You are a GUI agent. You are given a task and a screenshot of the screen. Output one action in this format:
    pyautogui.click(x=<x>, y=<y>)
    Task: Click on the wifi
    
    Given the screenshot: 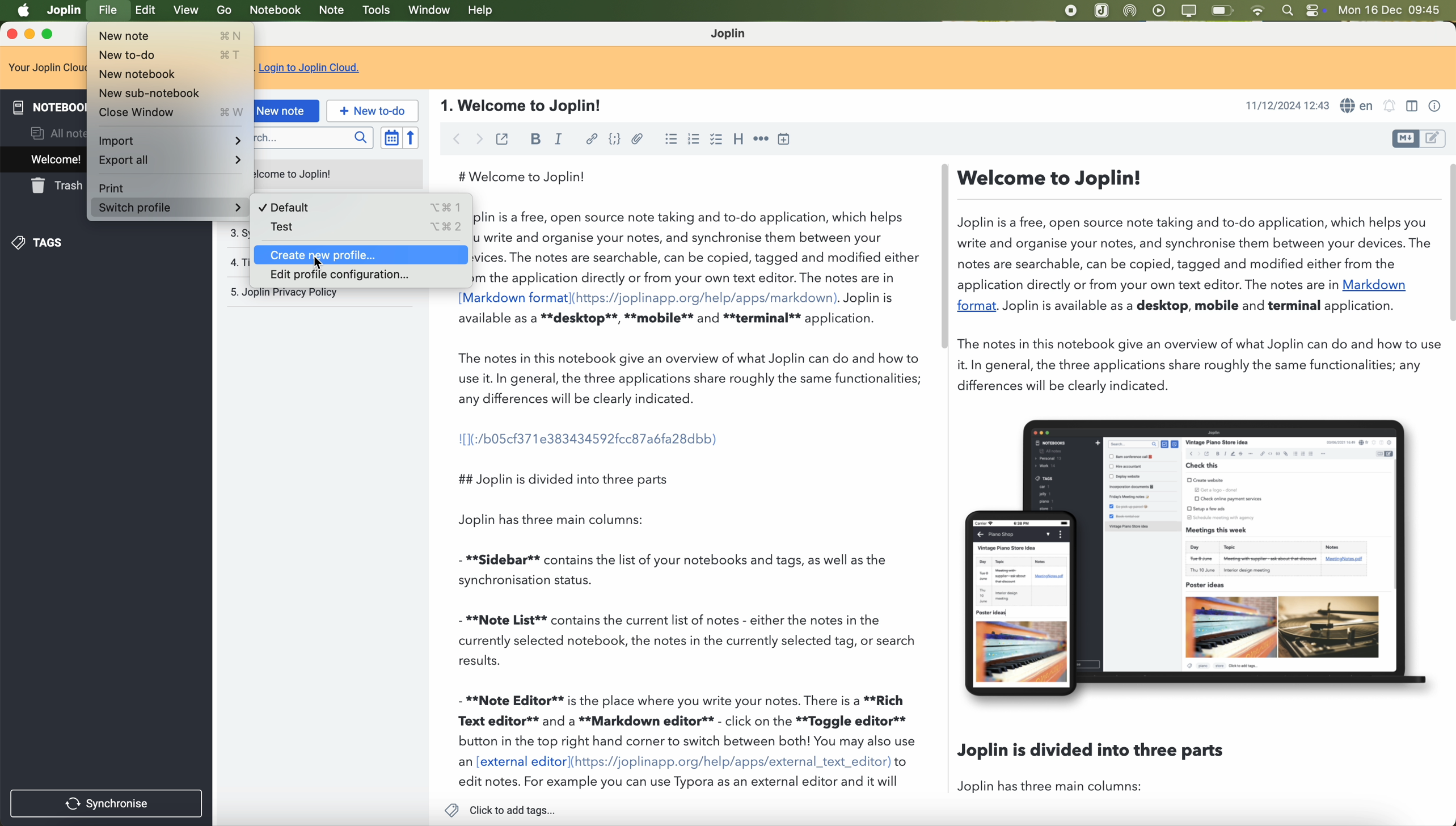 What is the action you would take?
    pyautogui.click(x=1260, y=11)
    